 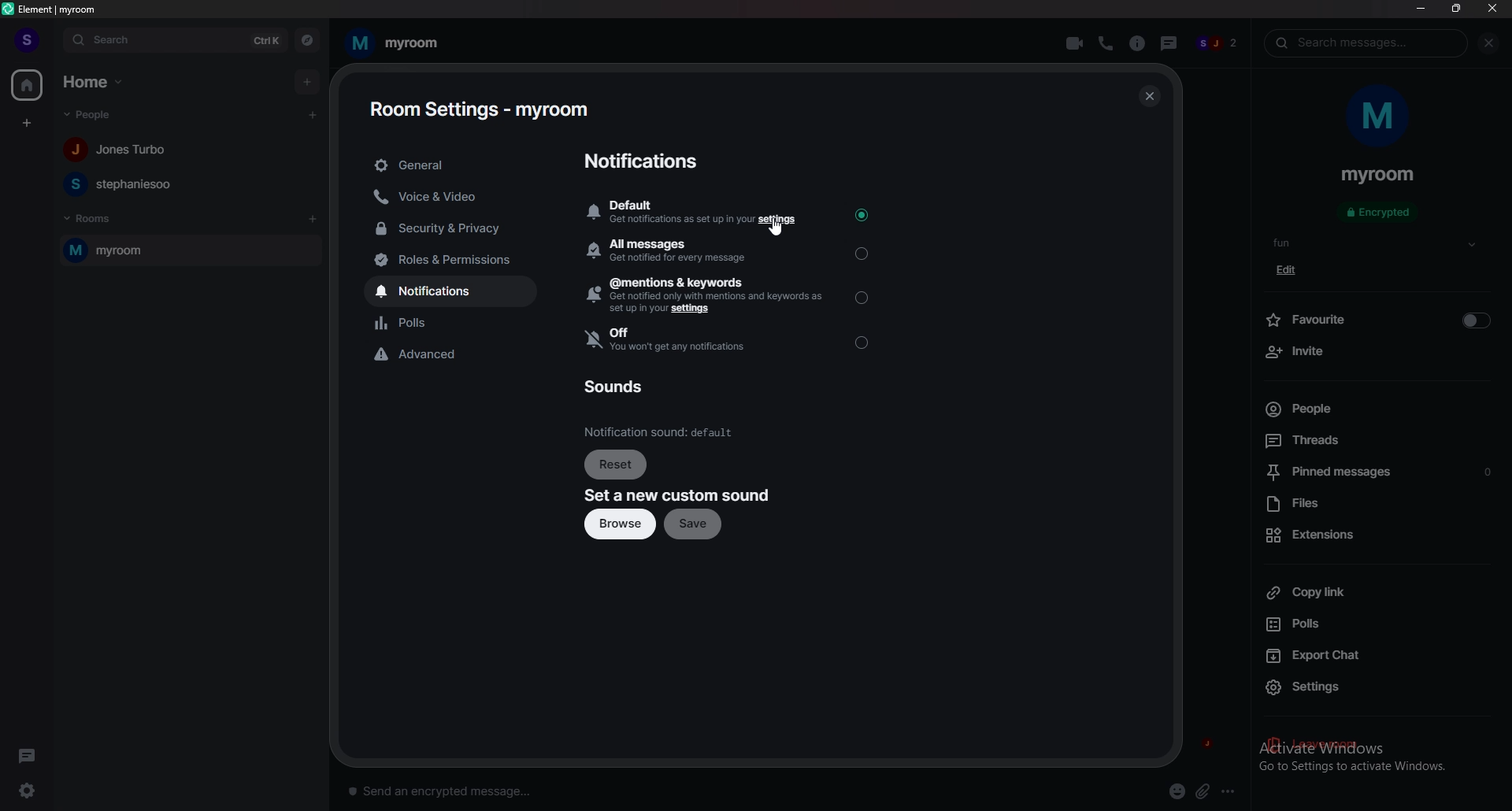 What do you see at coordinates (460, 356) in the screenshot?
I see `advanced` at bounding box center [460, 356].